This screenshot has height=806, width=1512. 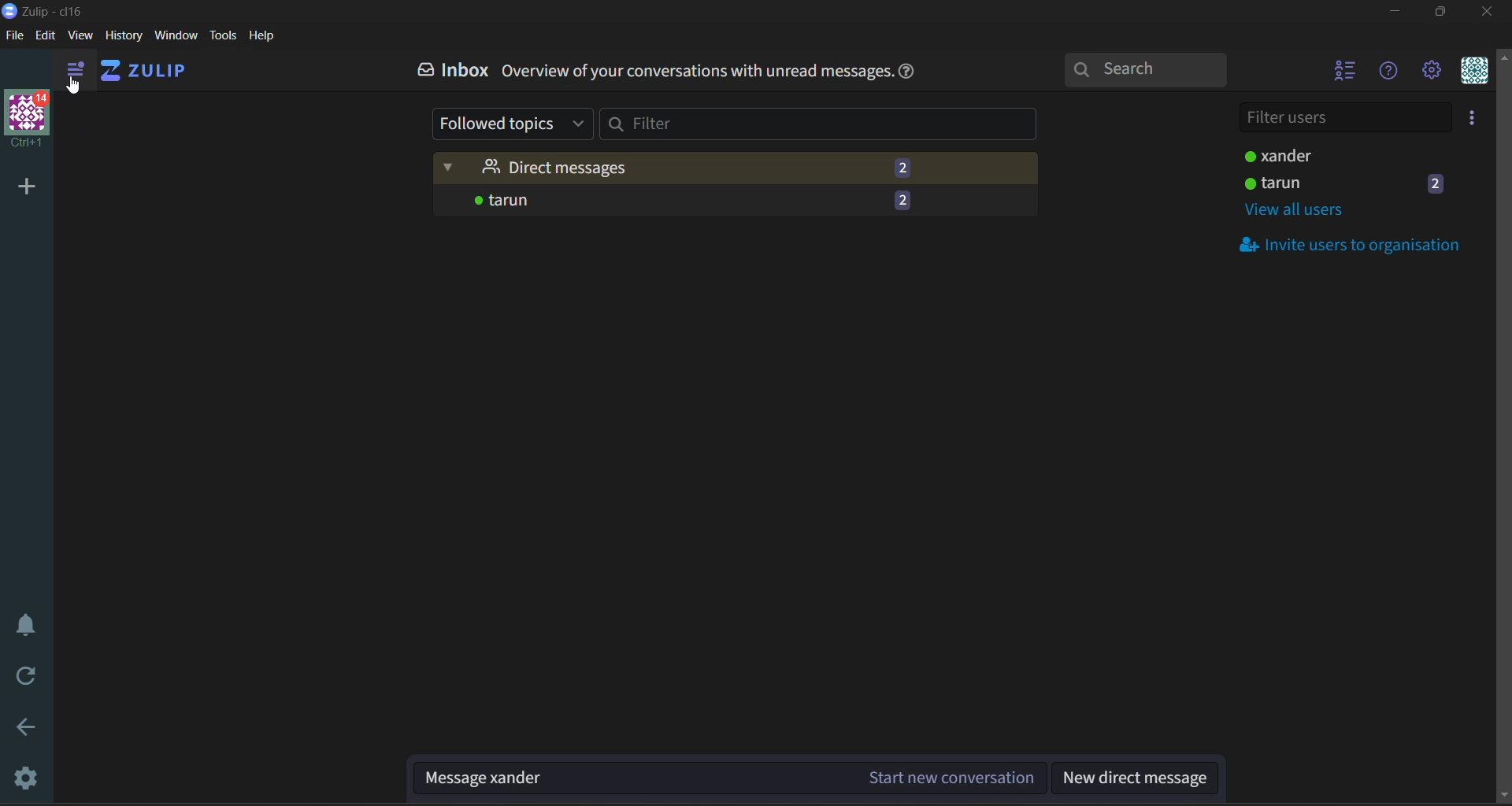 I want to click on Scroll bar, so click(x=1503, y=425).